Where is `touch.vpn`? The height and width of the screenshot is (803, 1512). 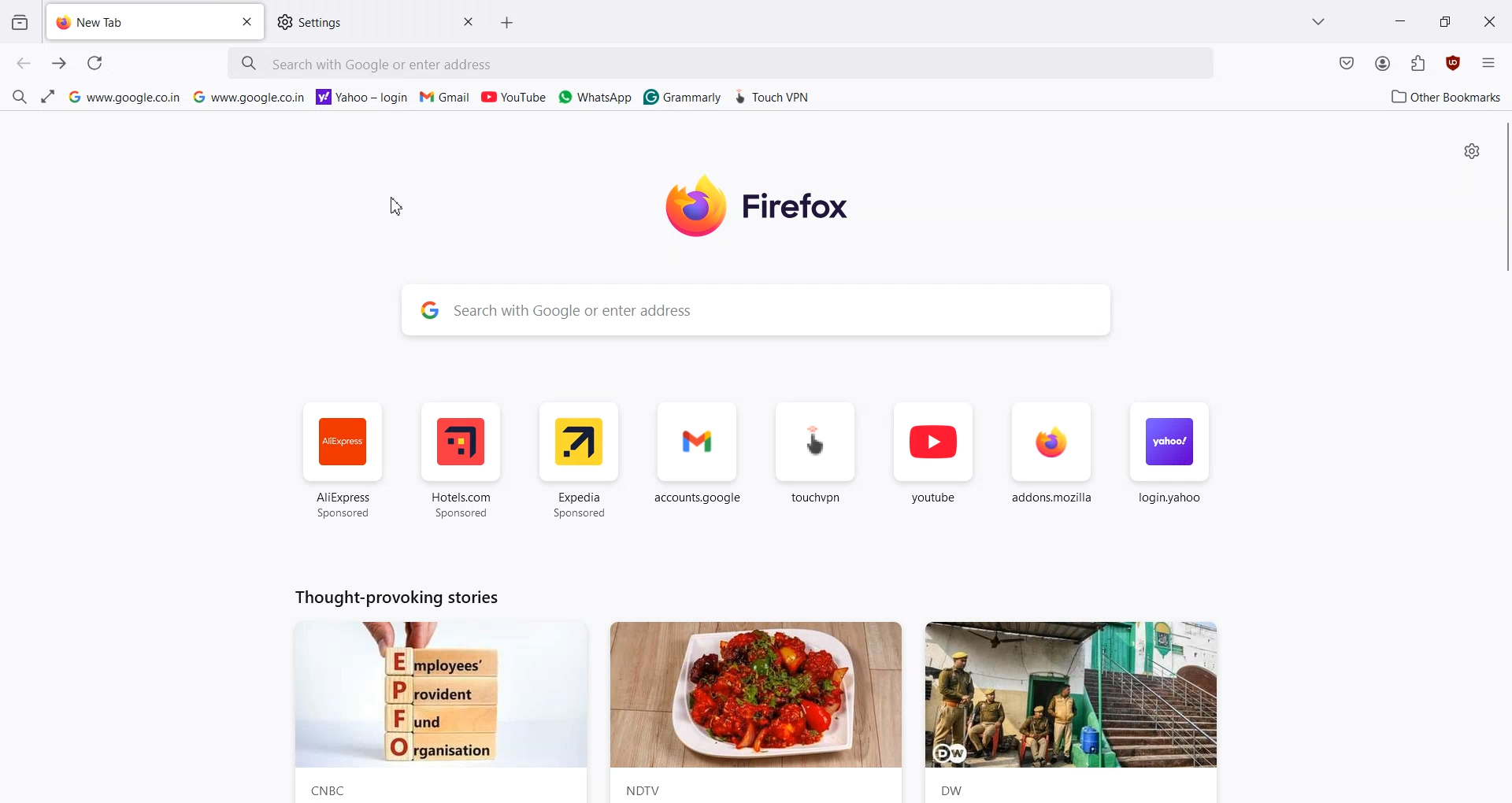
touch.vpn is located at coordinates (816, 461).